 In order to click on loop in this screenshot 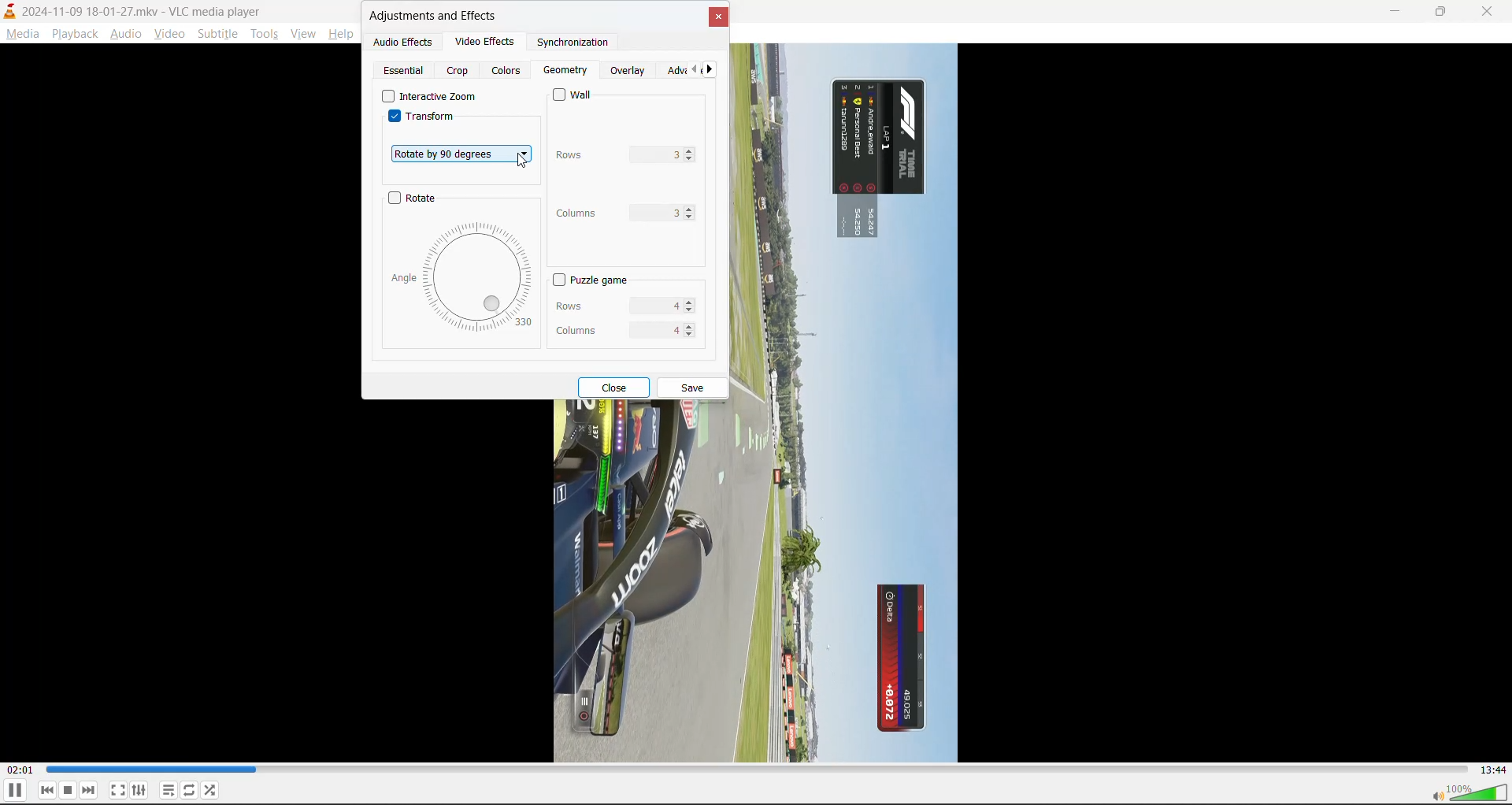, I will do `click(187, 792)`.